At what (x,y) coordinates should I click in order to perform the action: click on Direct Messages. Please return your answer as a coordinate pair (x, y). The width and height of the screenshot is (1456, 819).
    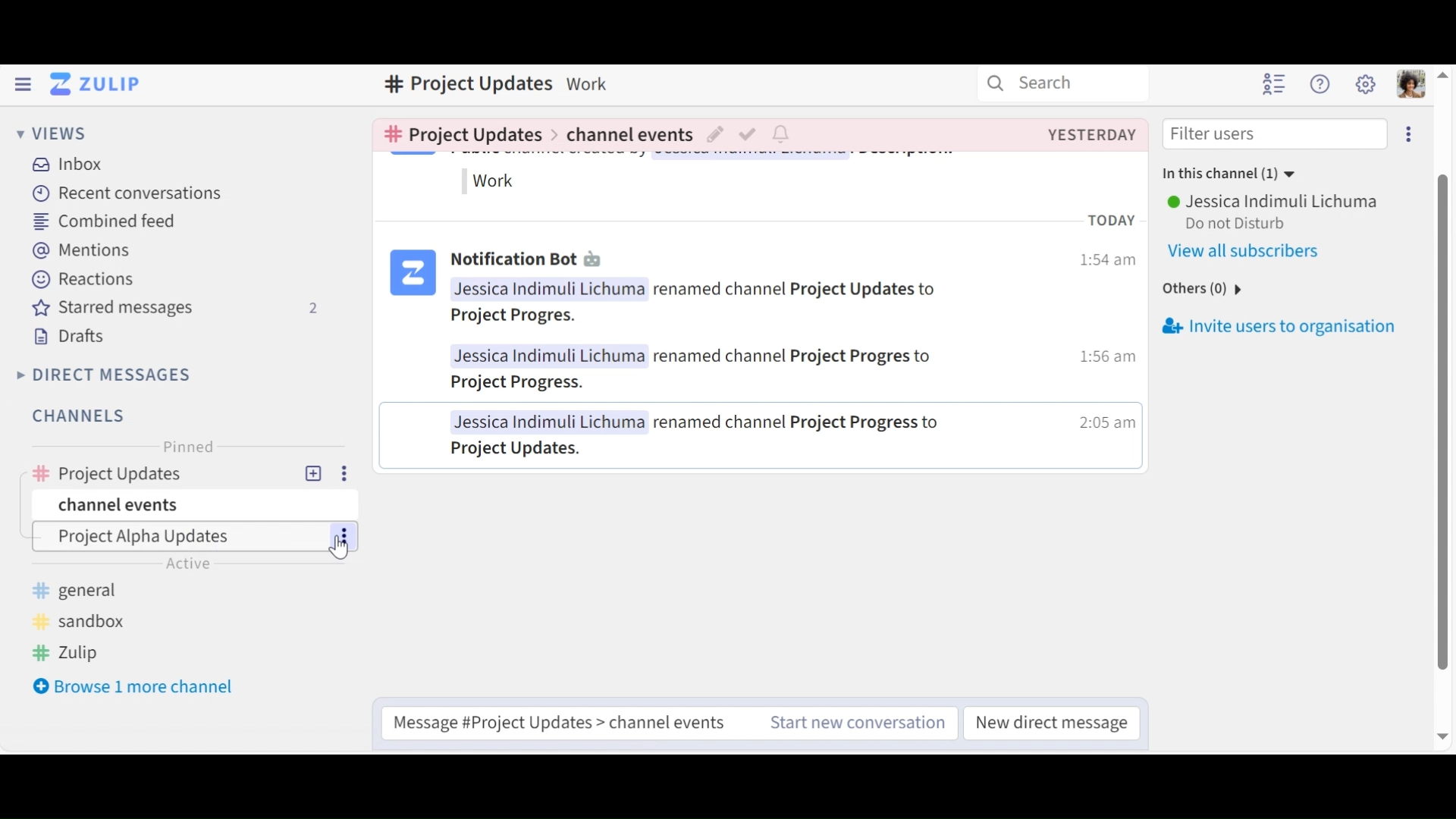
    Looking at the image, I should click on (105, 375).